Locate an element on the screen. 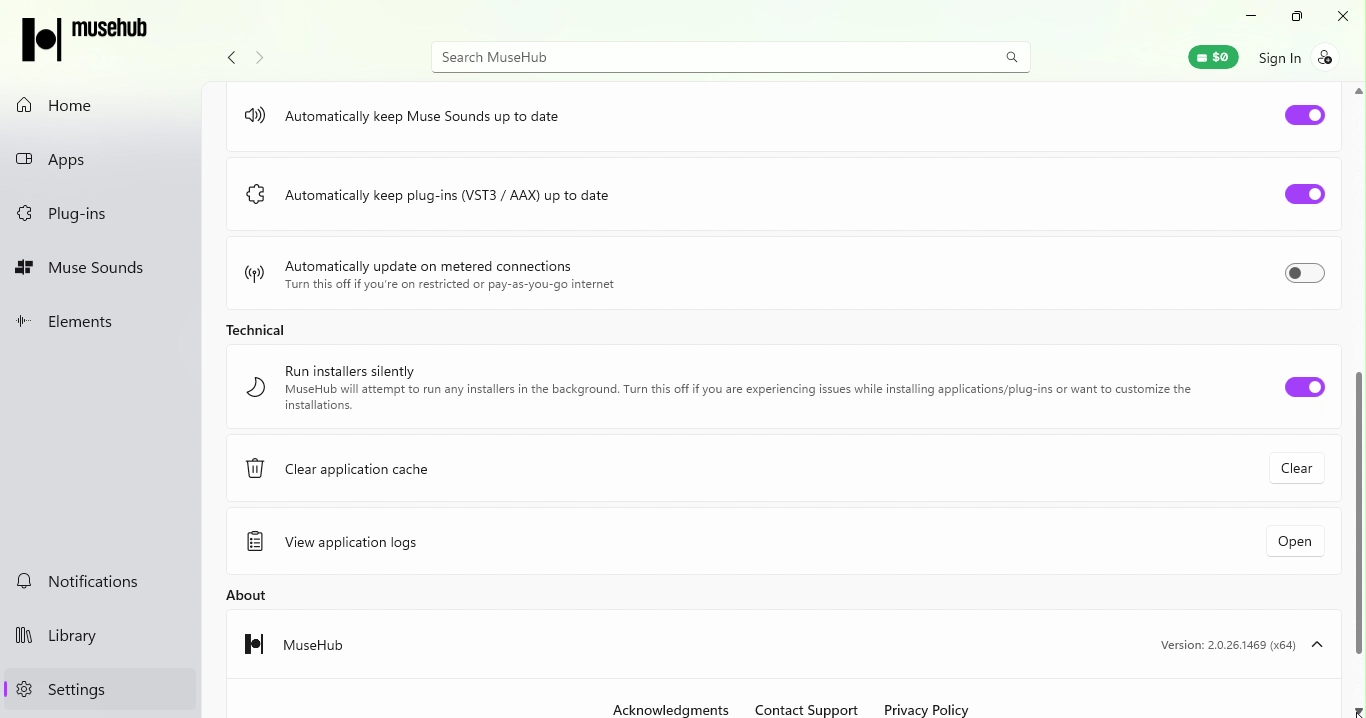  Navigate forward is located at coordinates (260, 57).